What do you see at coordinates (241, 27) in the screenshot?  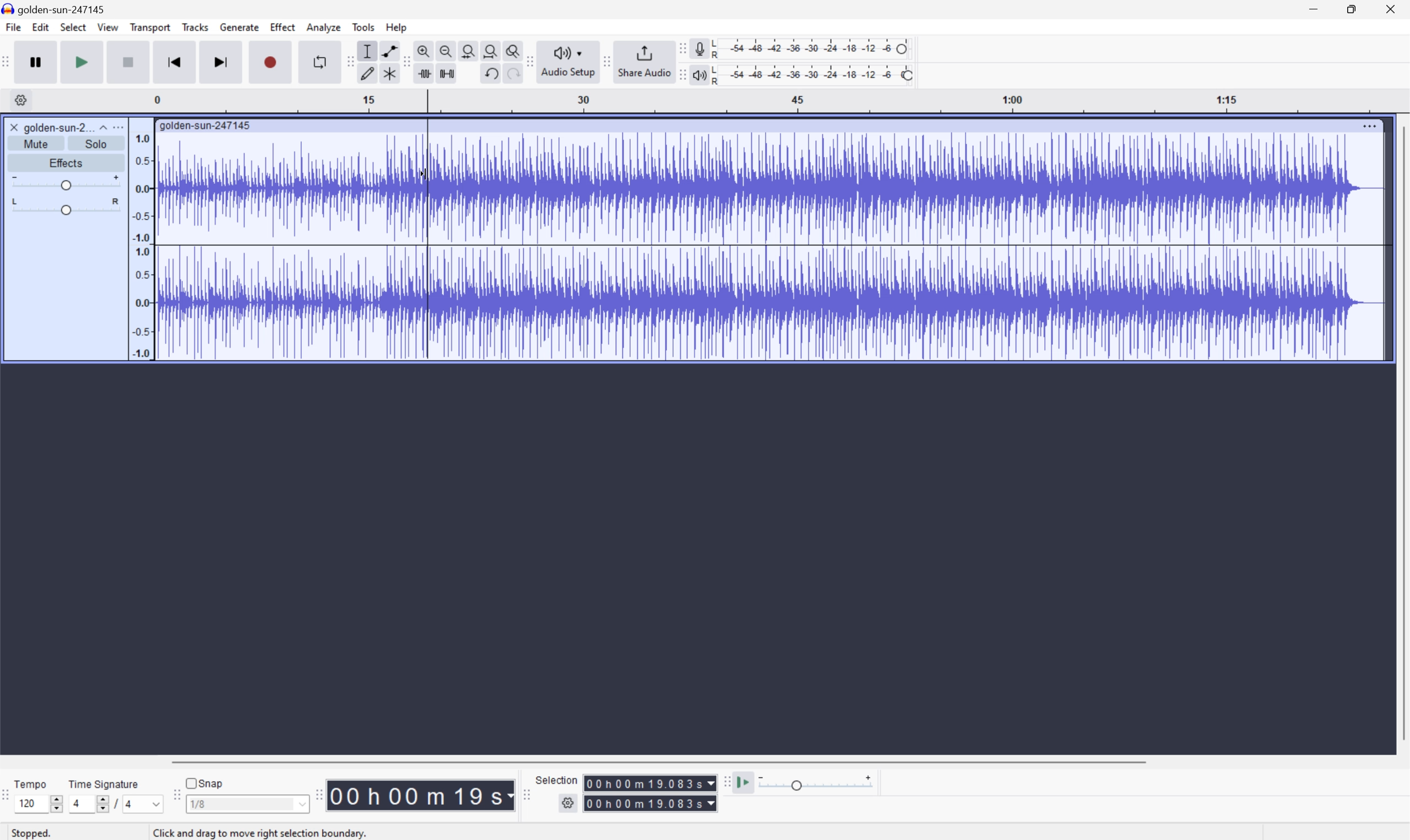 I see `Generate` at bounding box center [241, 27].